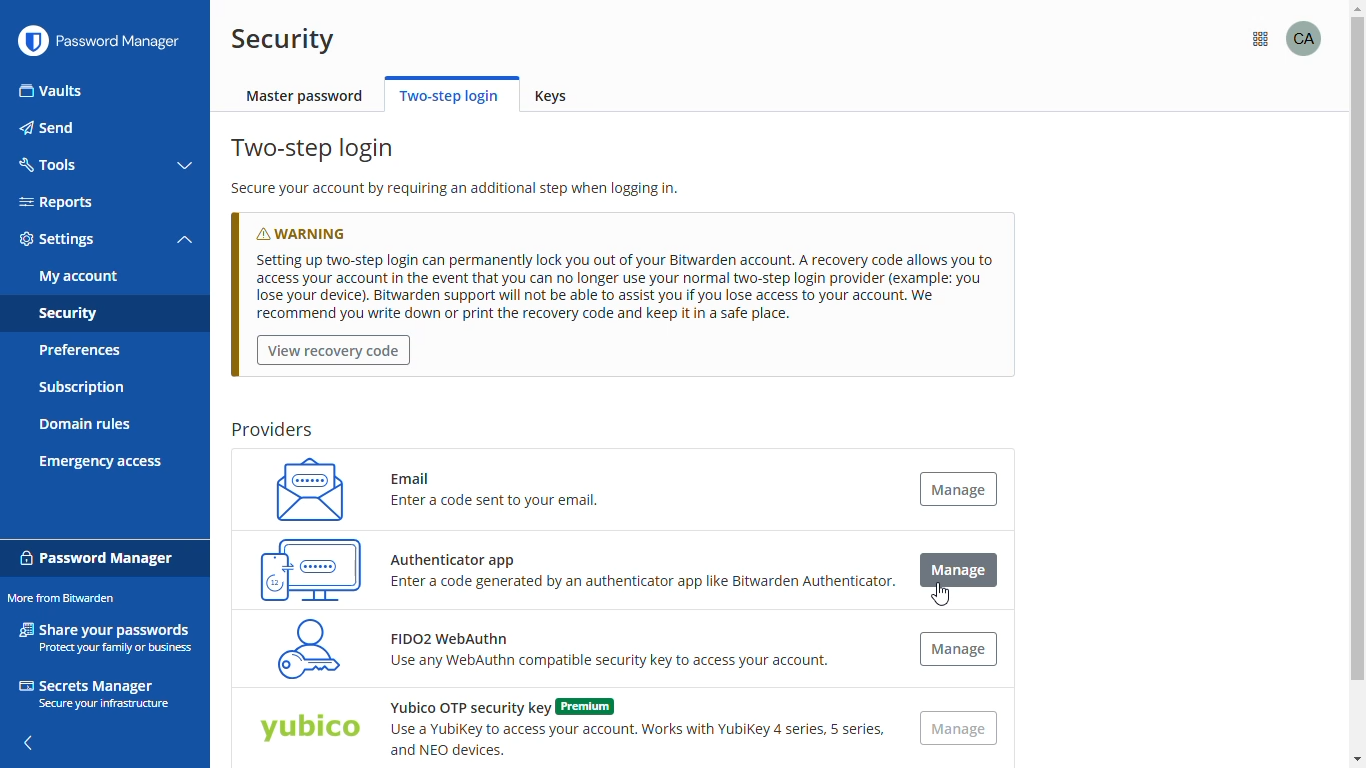 This screenshot has height=768, width=1366. I want to click on preferences, so click(78, 350).